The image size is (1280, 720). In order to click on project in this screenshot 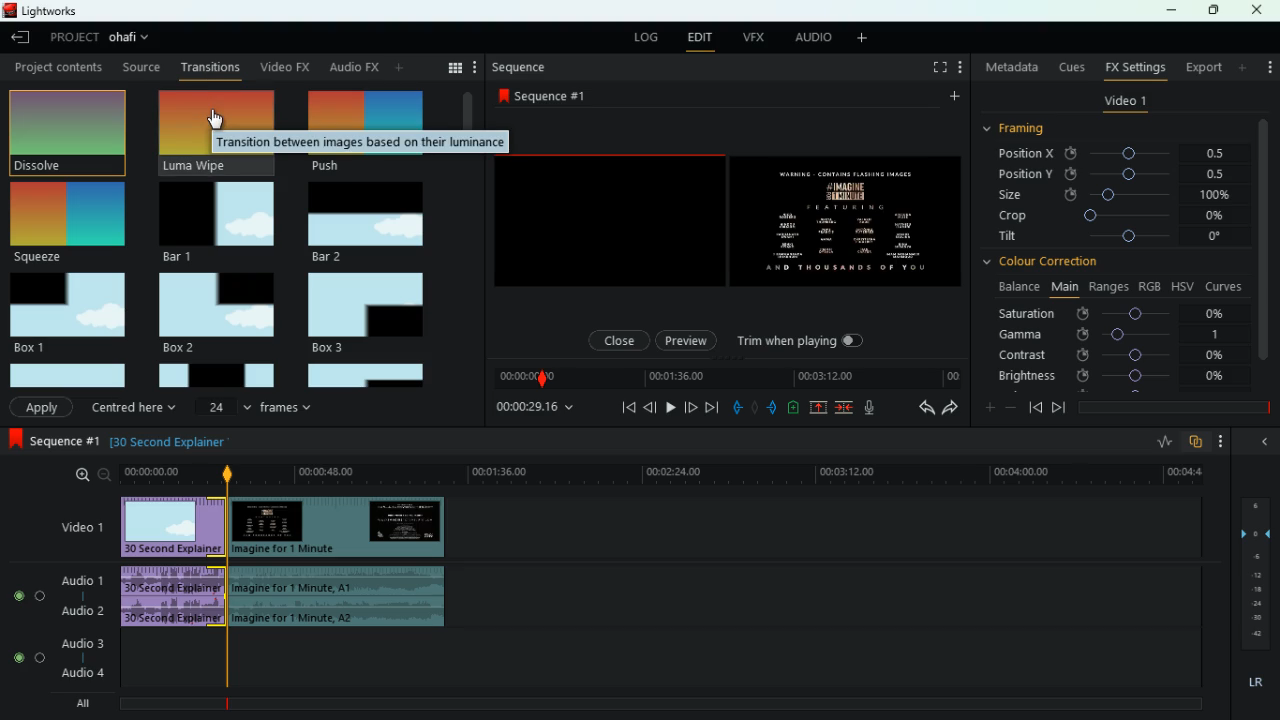, I will do `click(74, 37)`.